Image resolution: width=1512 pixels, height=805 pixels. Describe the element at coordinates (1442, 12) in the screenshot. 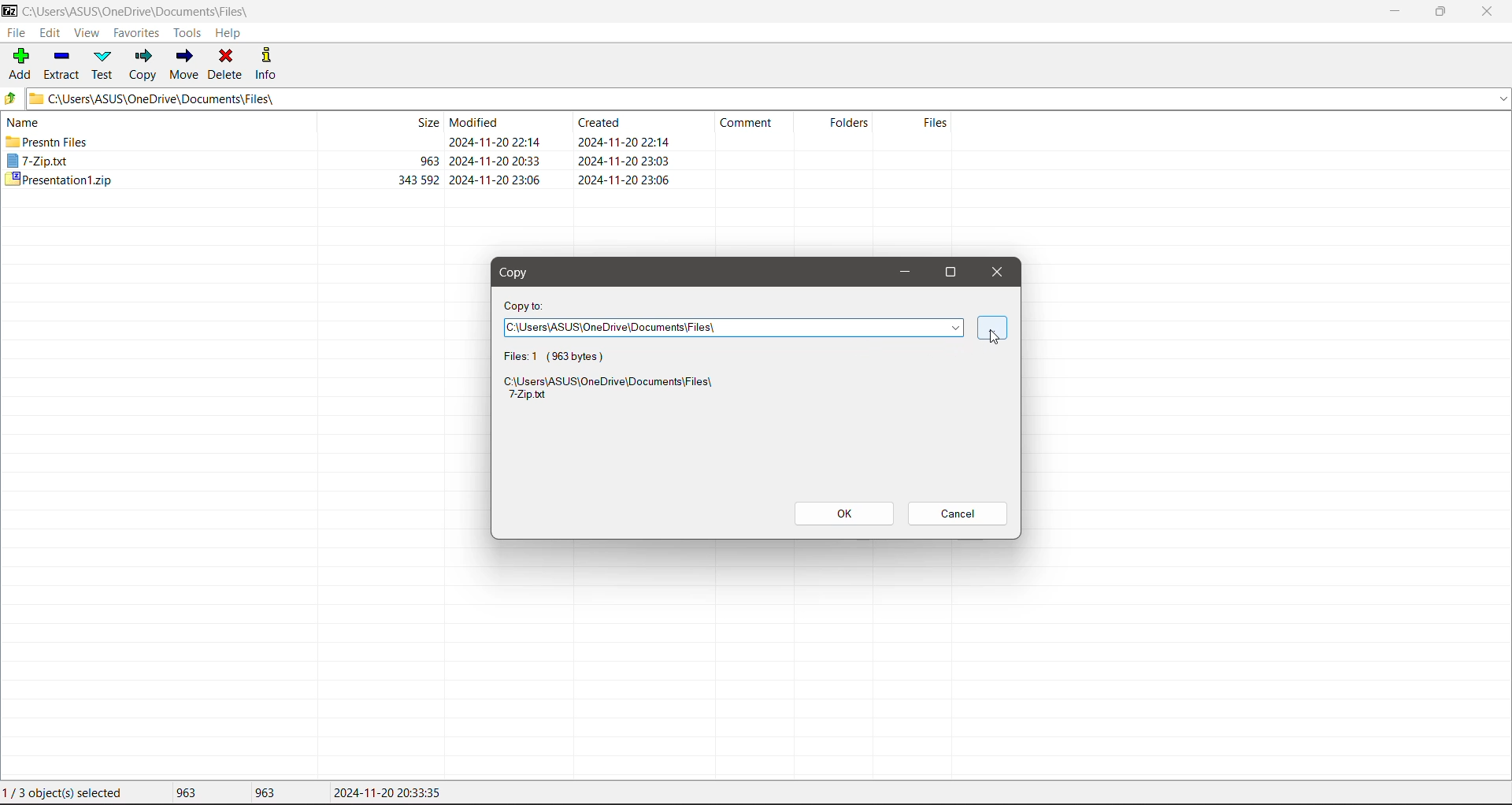

I see `Restore Down` at that location.